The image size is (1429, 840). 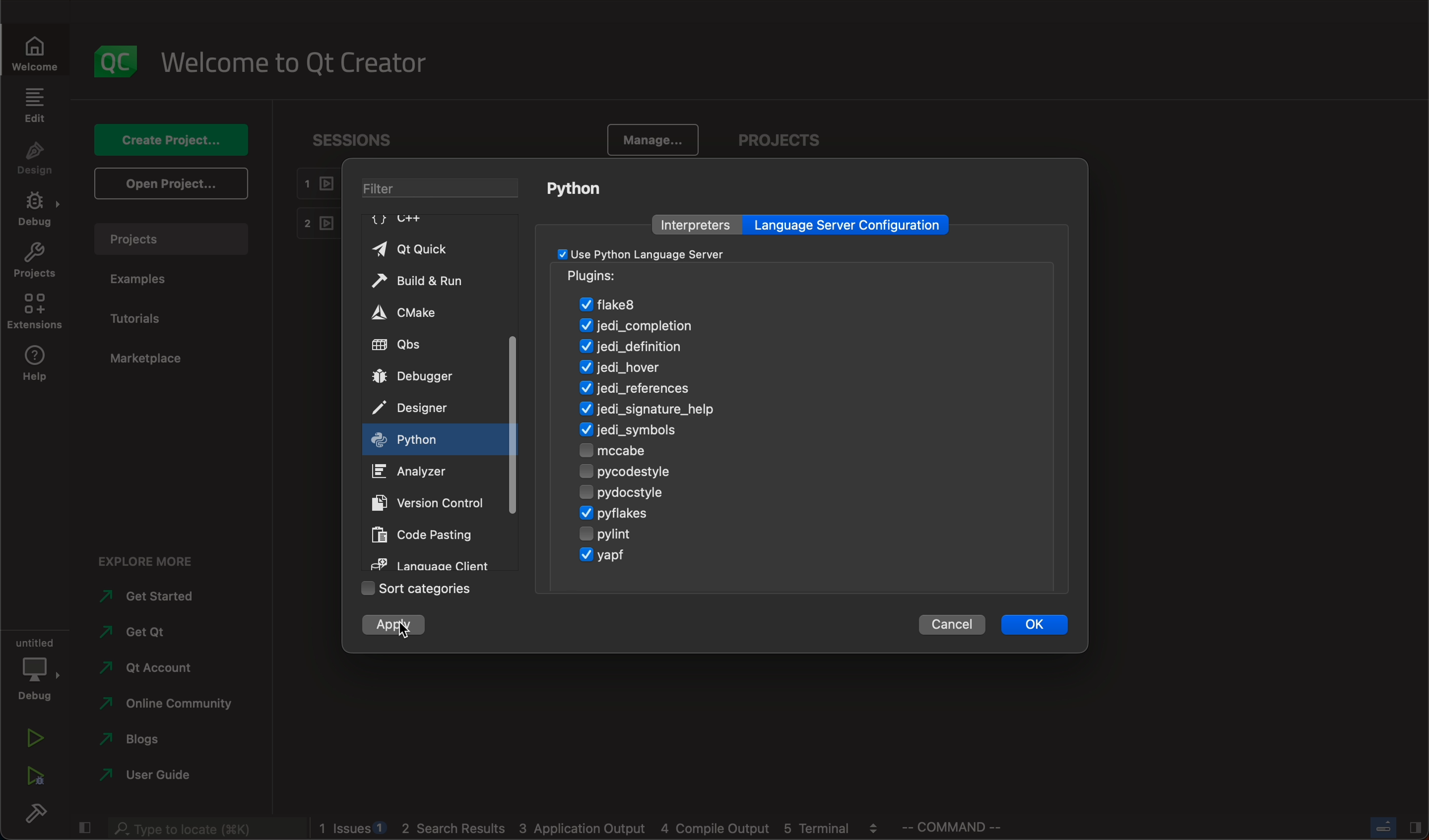 What do you see at coordinates (627, 472) in the screenshot?
I see `pycodestyle` at bounding box center [627, 472].